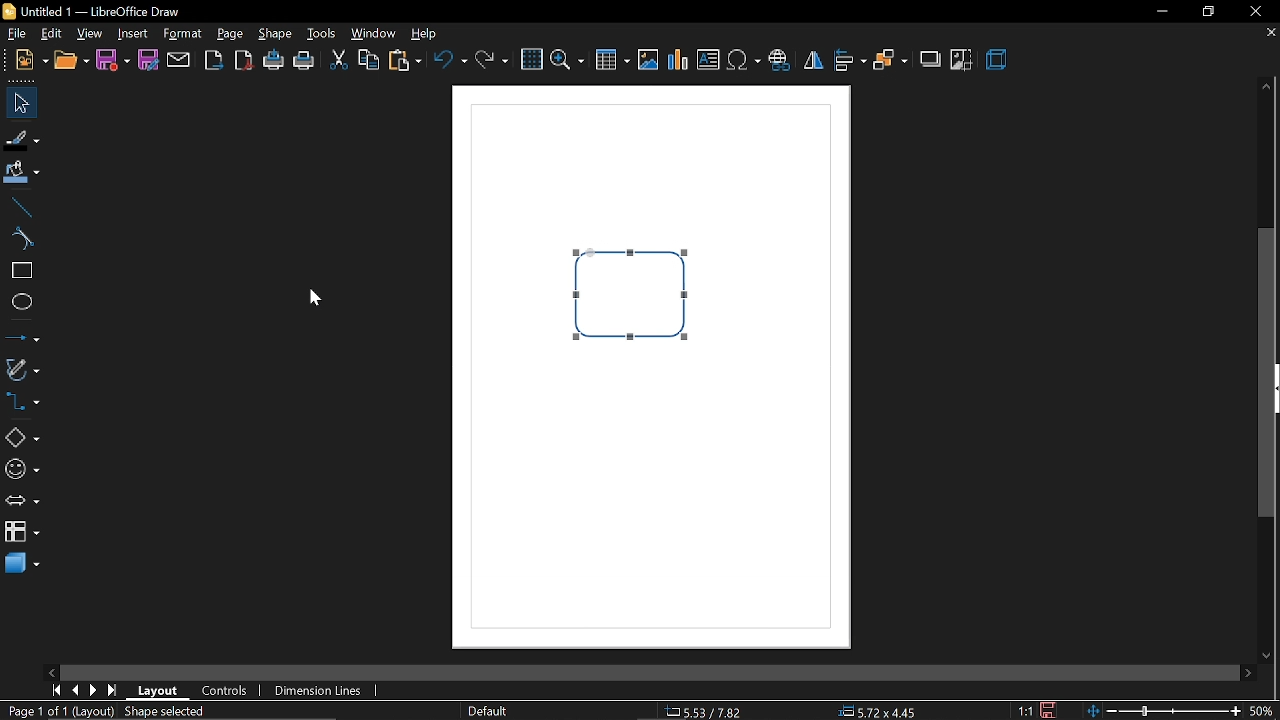  Describe the element at coordinates (22, 138) in the screenshot. I see `fill line` at that location.